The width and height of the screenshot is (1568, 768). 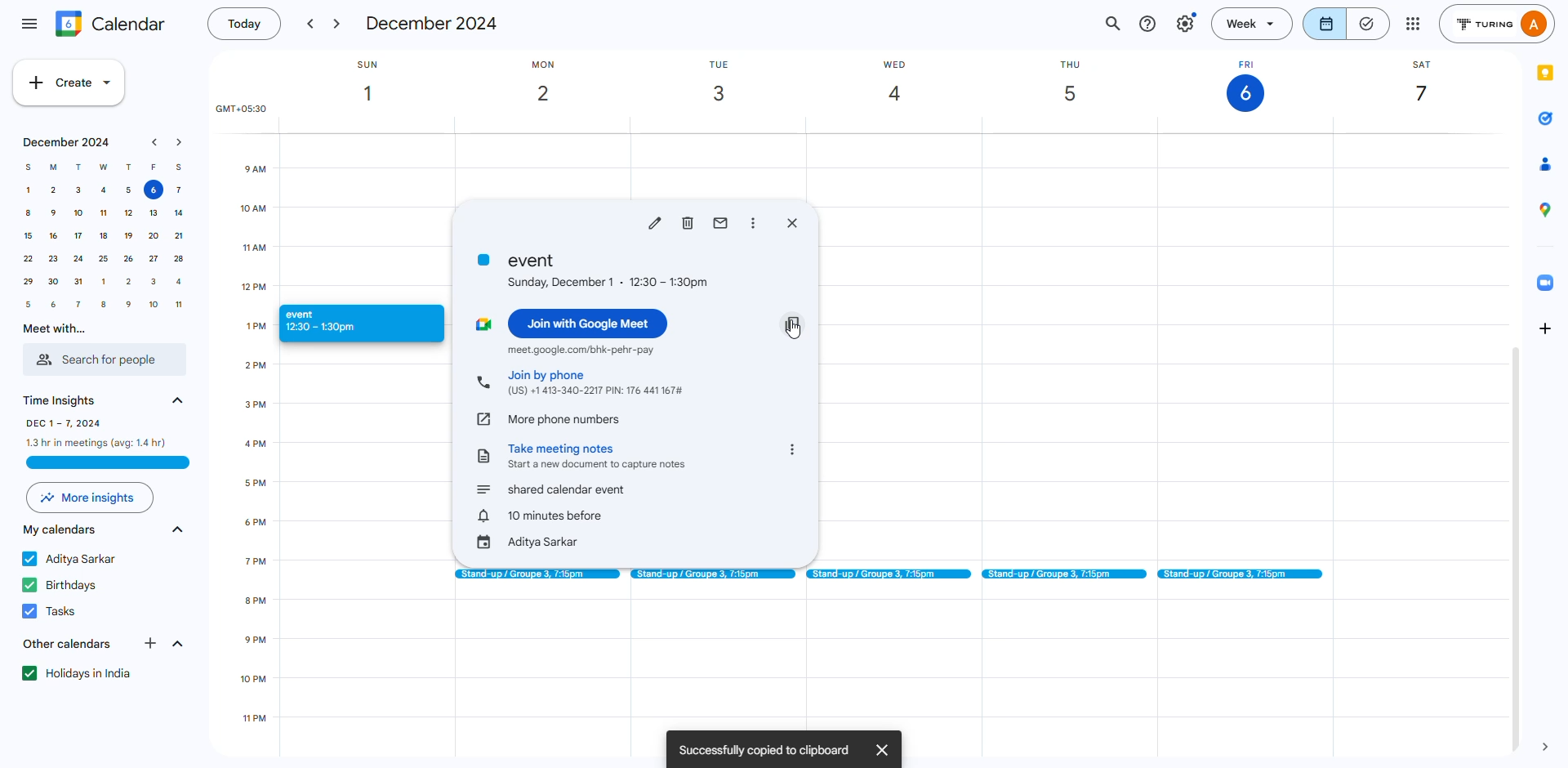 What do you see at coordinates (61, 529) in the screenshot?
I see `calendar` at bounding box center [61, 529].